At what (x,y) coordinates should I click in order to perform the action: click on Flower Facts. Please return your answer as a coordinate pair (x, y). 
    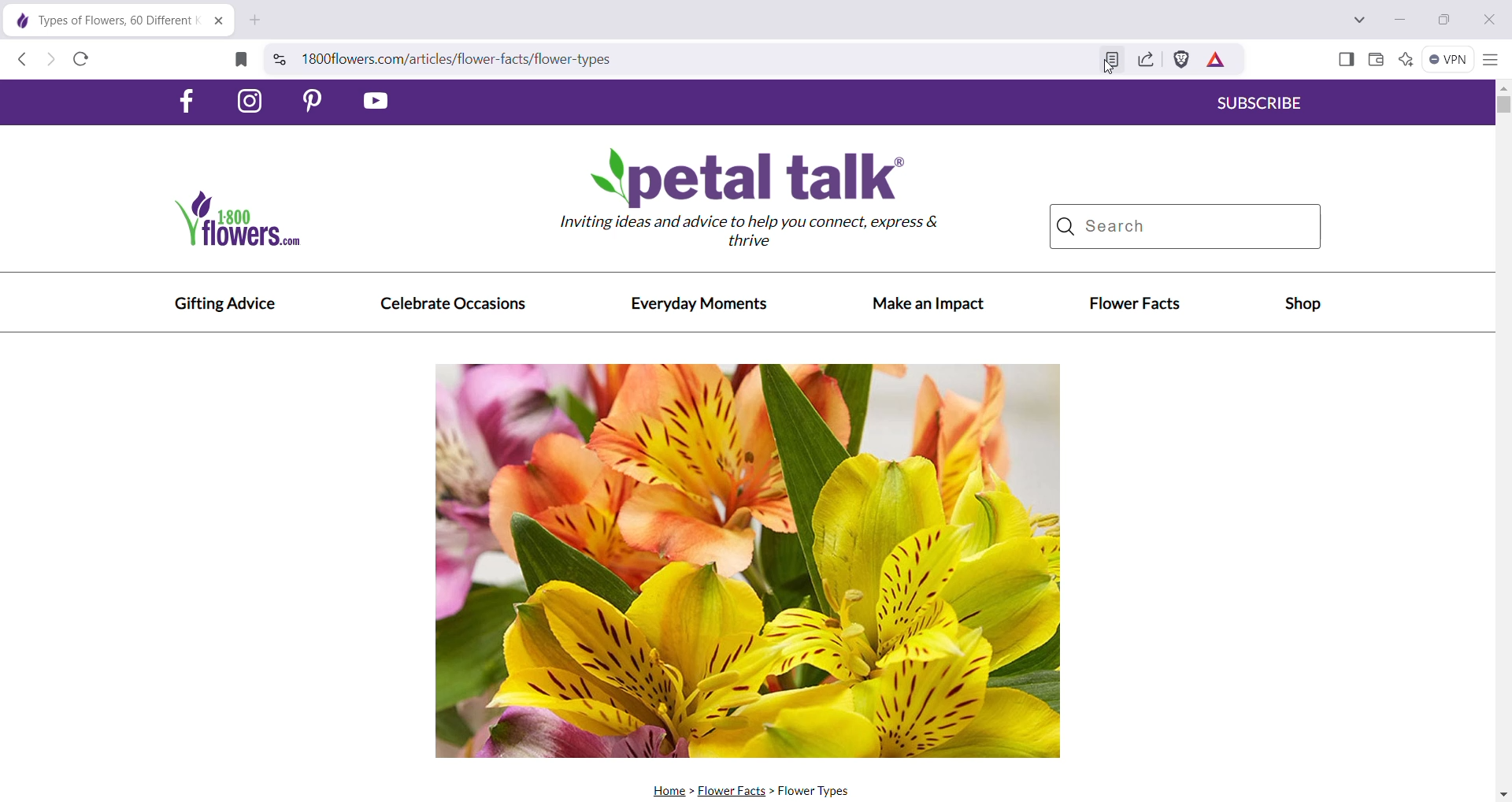
    Looking at the image, I should click on (1135, 305).